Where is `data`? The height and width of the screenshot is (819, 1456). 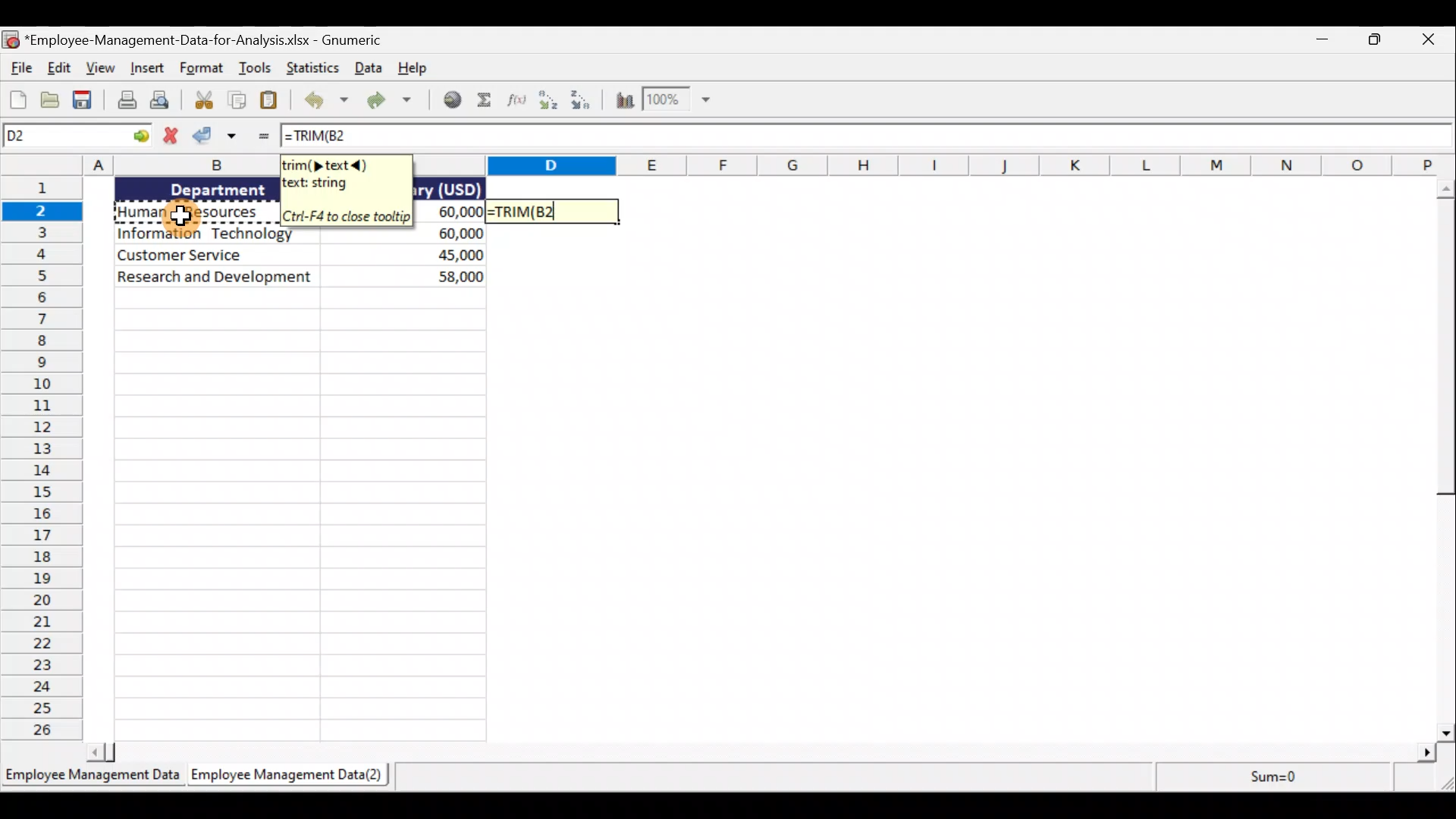 data is located at coordinates (448, 231).